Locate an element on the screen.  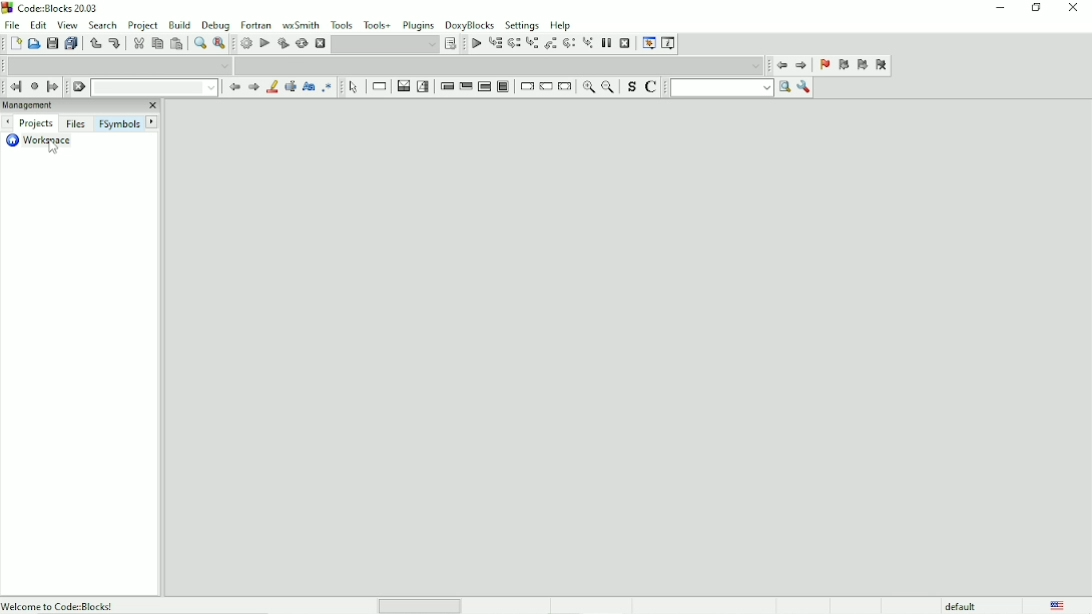
Find is located at coordinates (198, 44).